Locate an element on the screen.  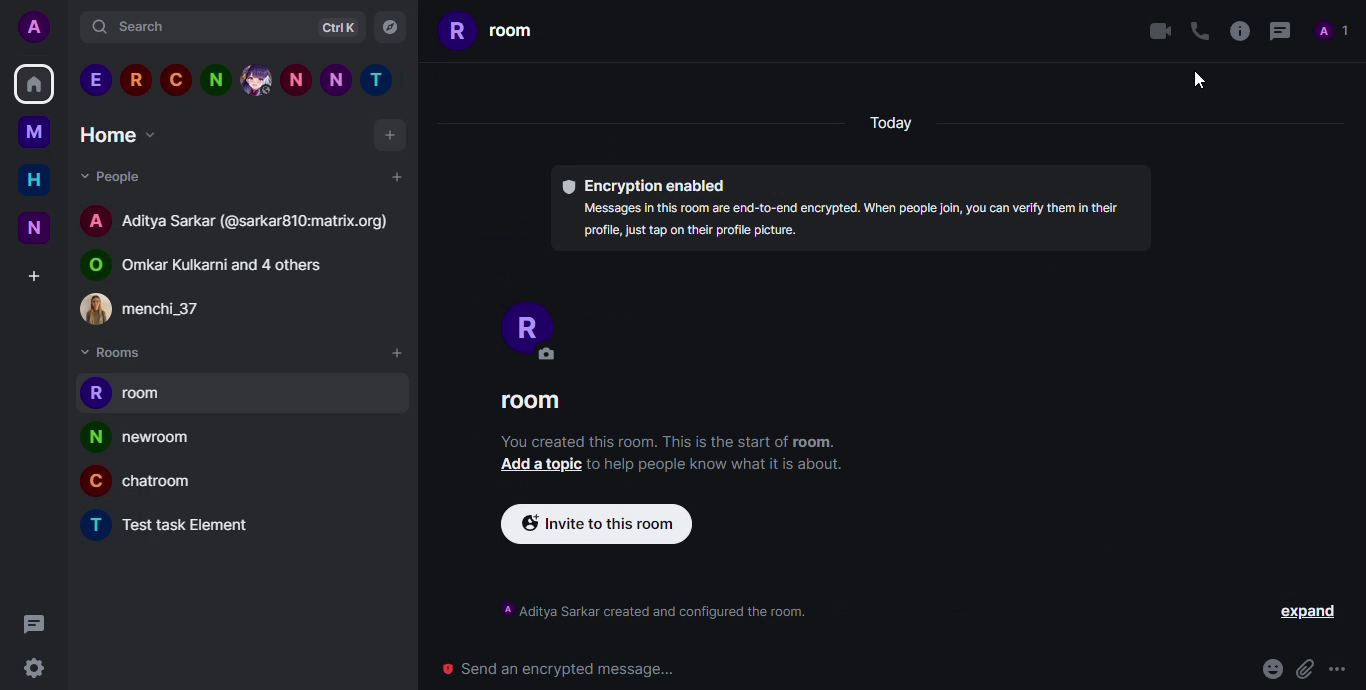
more is located at coordinates (1341, 669).